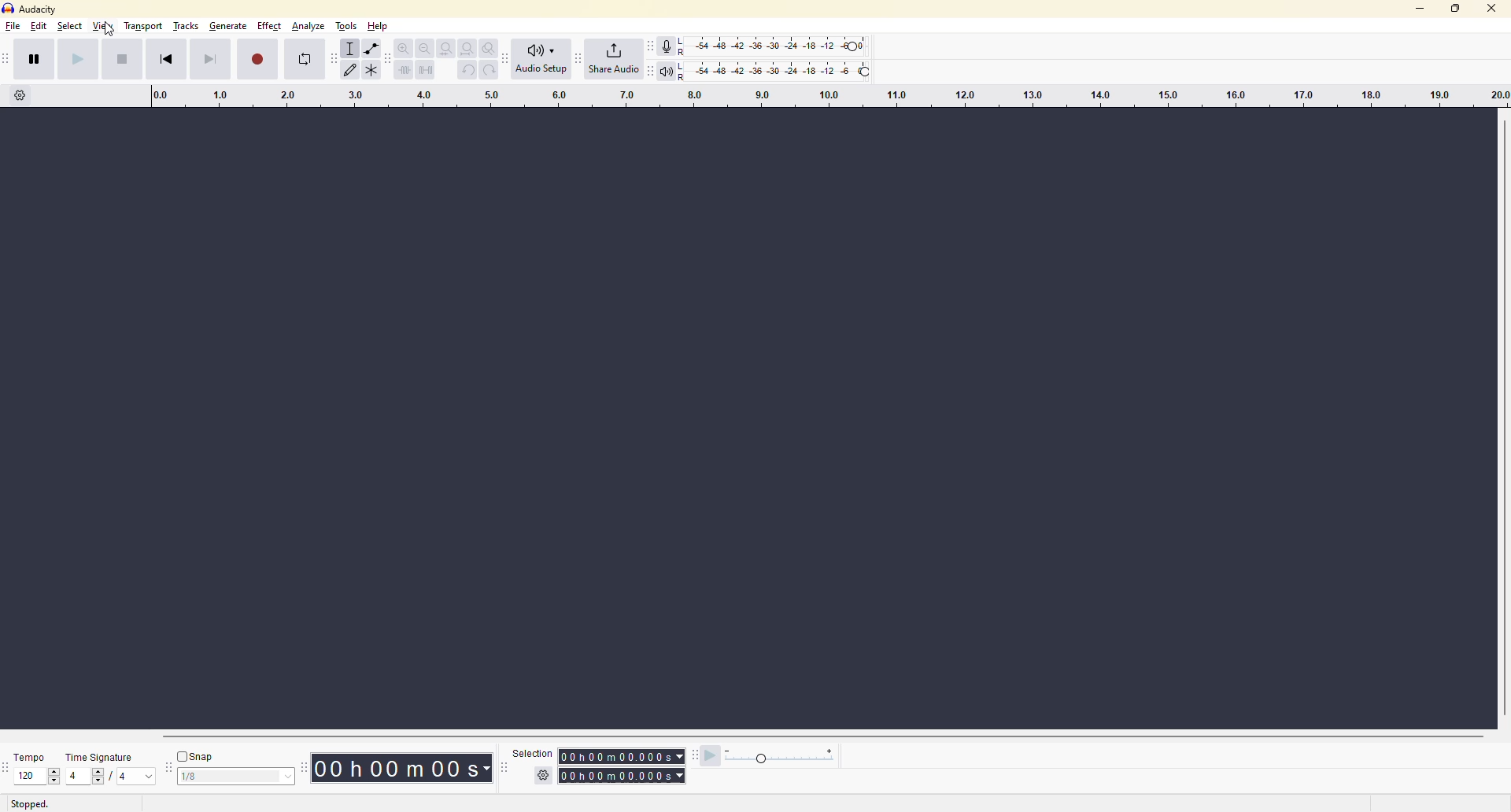  What do you see at coordinates (466, 71) in the screenshot?
I see `undo` at bounding box center [466, 71].